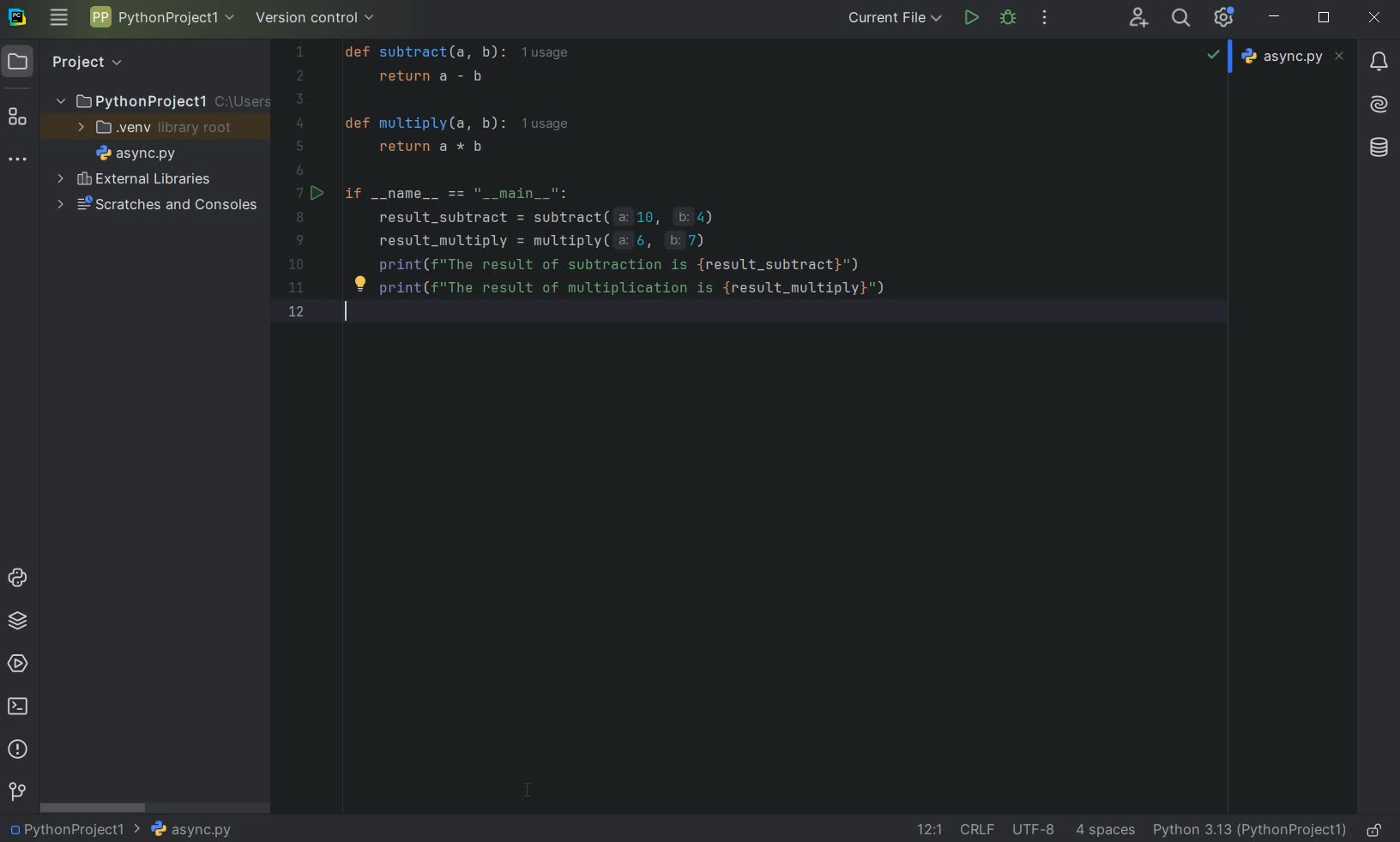 The image size is (1400, 842). Describe the element at coordinates (15, 159) in the screenshot. I see `more tool windows` at that location.